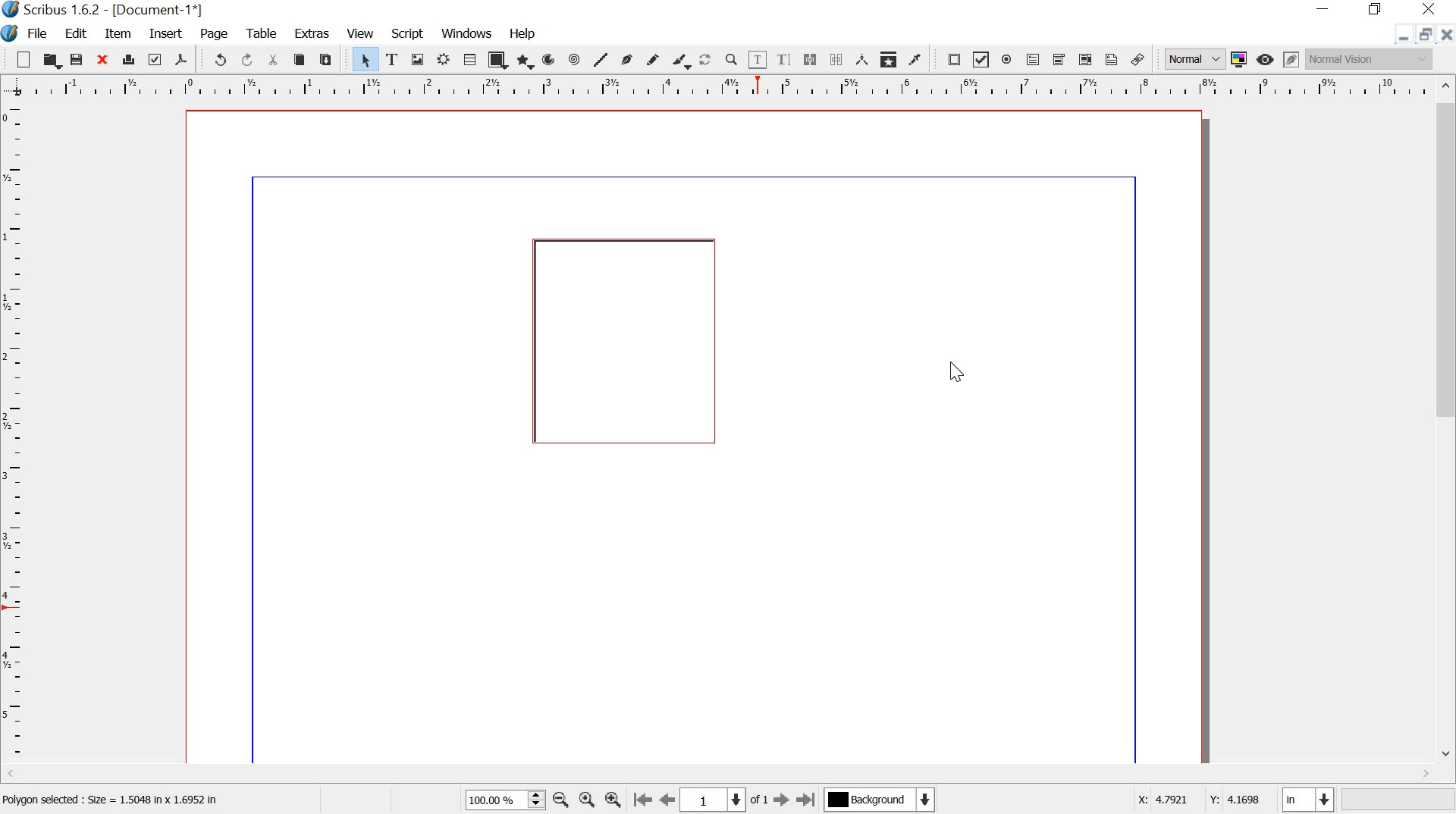 The width and height of the screenshot is (1456, 814). What do you see at coordinates (17, 60) in the screenshot?
I see `new` at bounding box center [17, 60].